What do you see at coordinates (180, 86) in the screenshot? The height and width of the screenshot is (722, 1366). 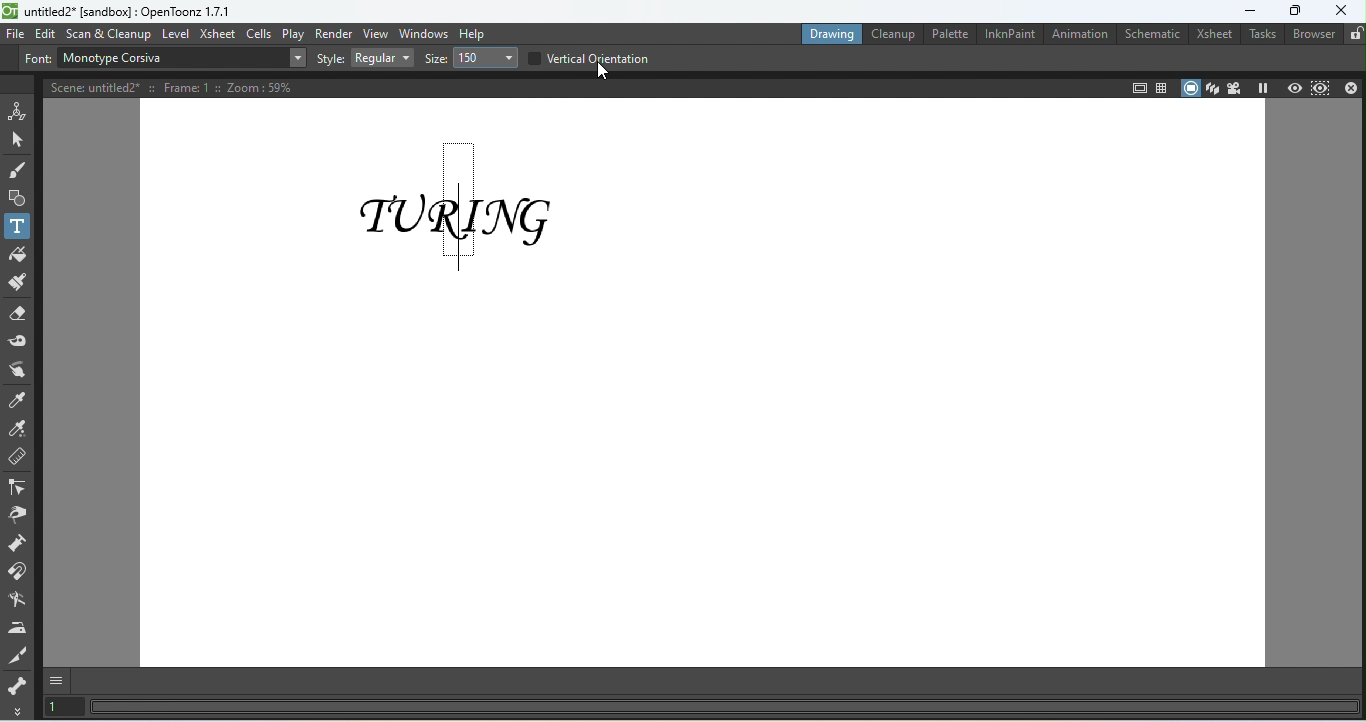 I see `Scene details` at bounding box center [180, 86].